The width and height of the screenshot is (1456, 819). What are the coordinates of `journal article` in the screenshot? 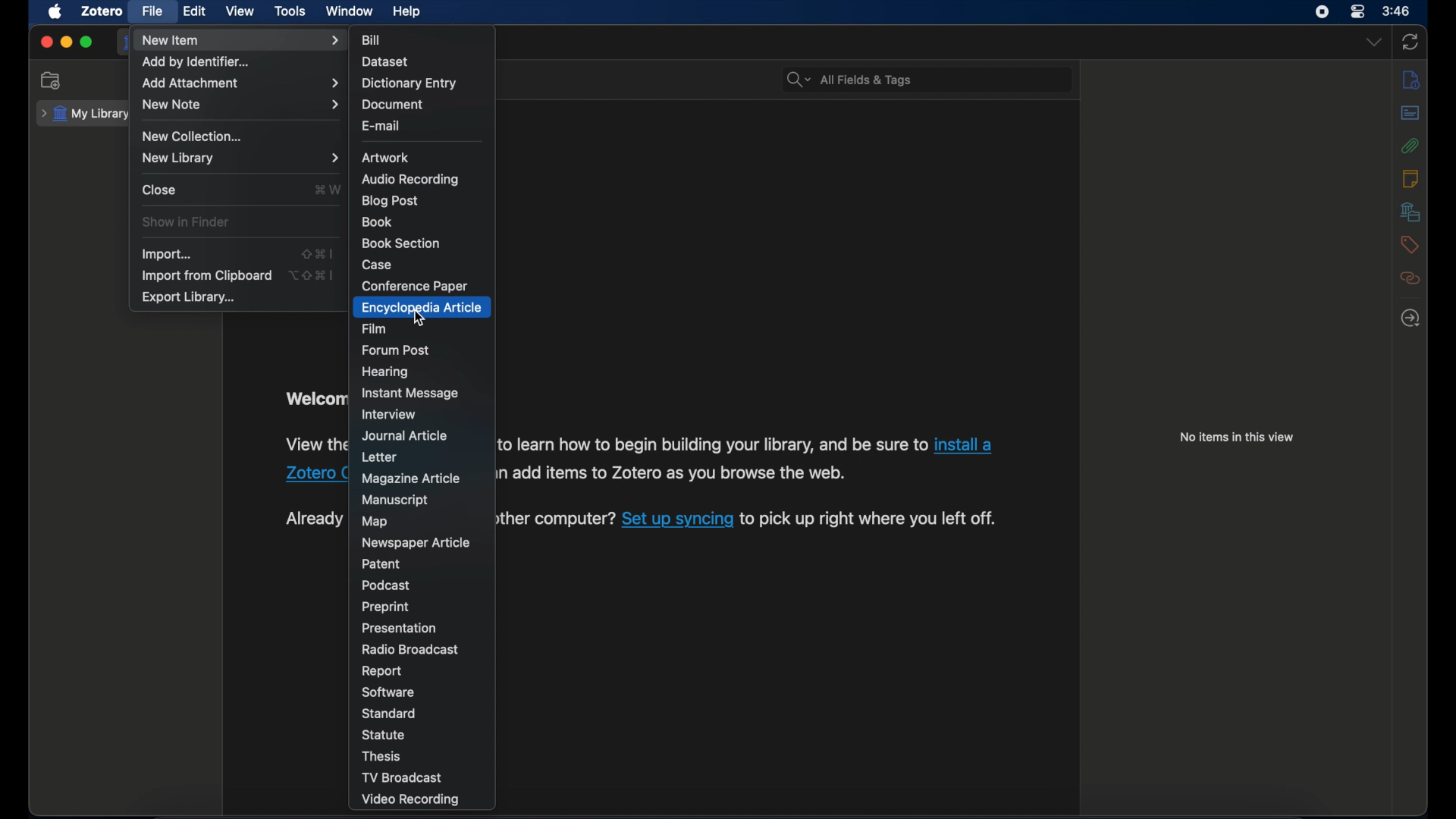 It's located at (406, 435).